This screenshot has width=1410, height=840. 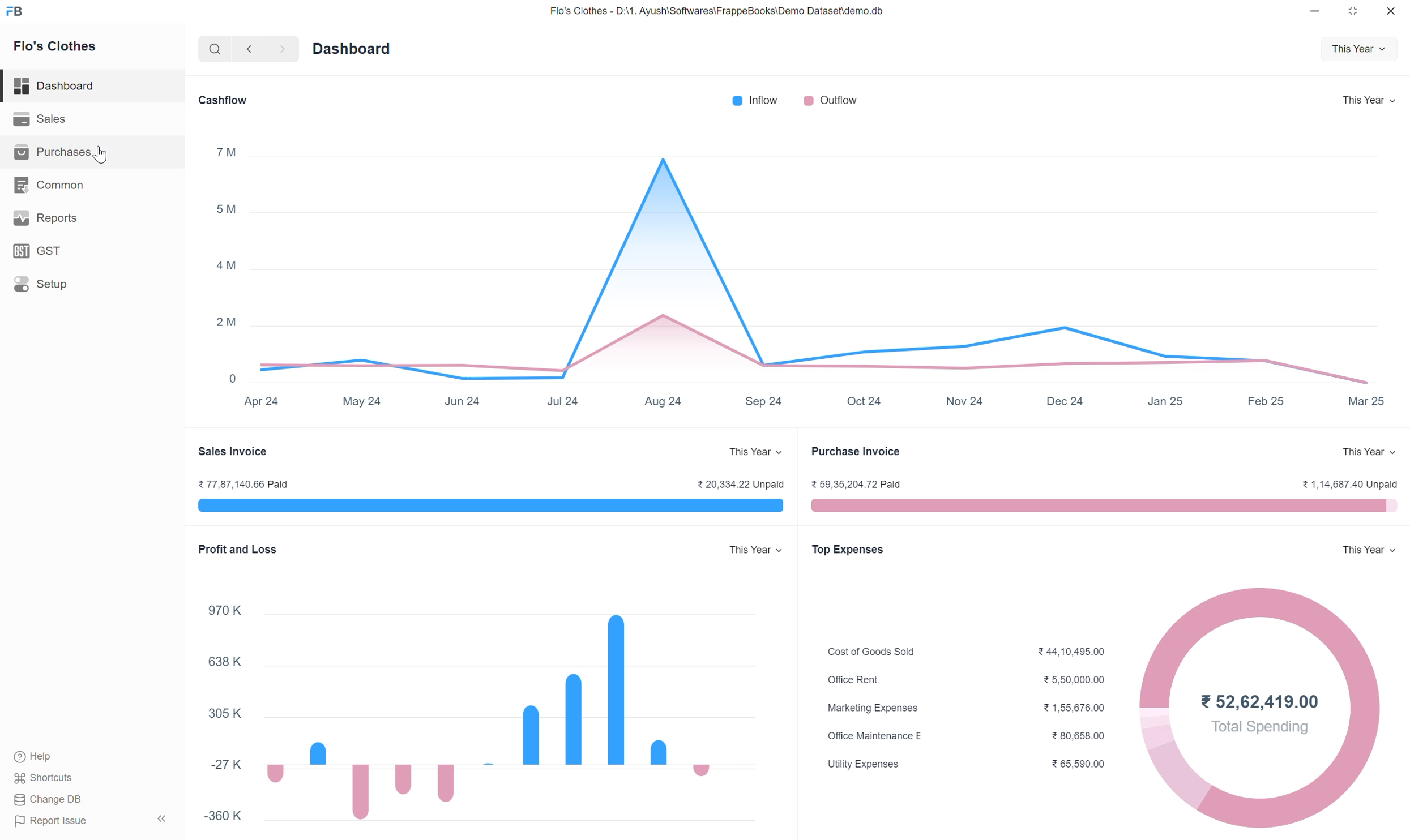 I want to click on 4M, so click(x=225, y=266).